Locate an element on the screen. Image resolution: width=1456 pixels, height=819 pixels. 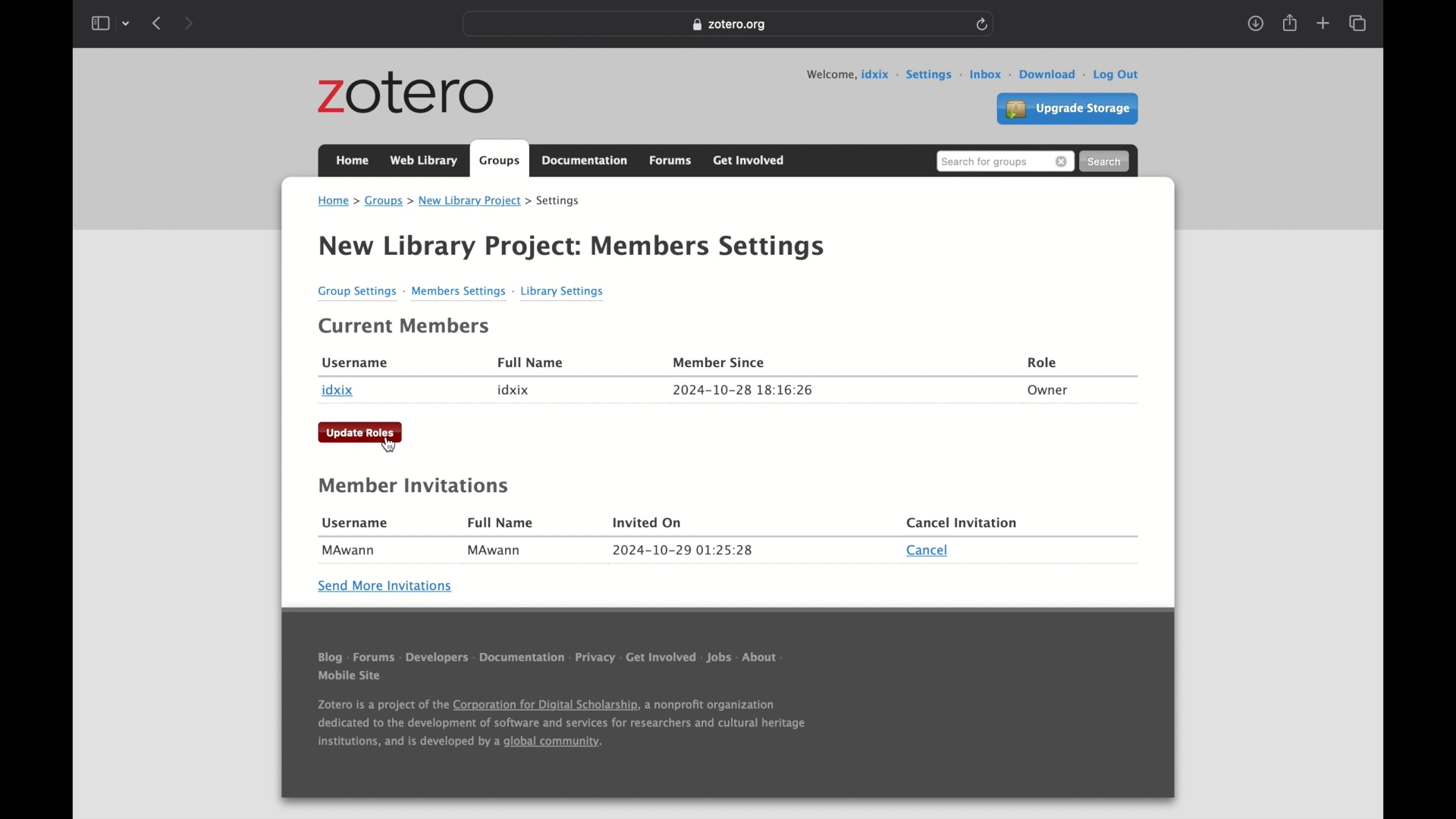
download is located at coordinates (1052, 74).